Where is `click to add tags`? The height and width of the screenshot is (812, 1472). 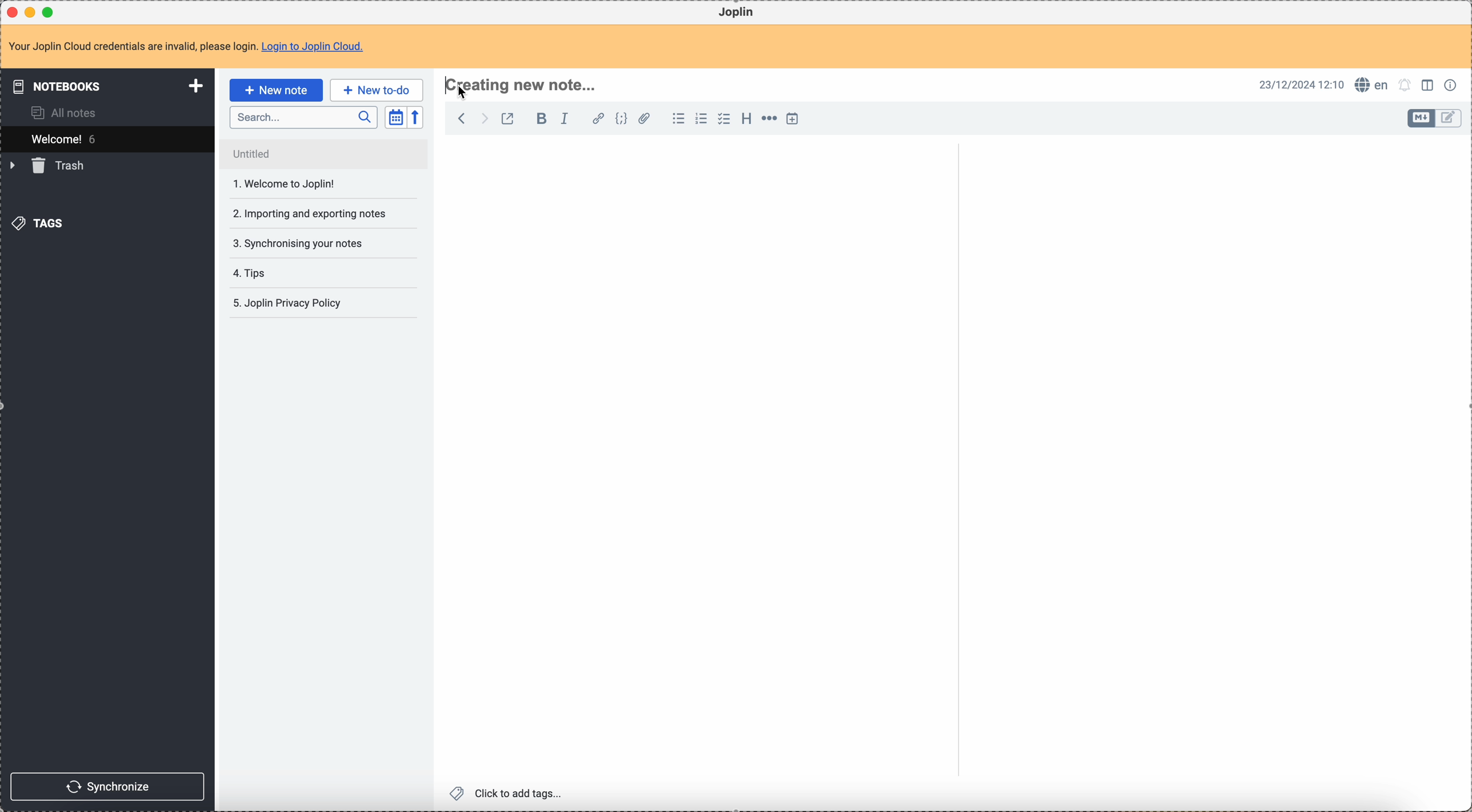
click to add tags is located at coordinates (508, 794).